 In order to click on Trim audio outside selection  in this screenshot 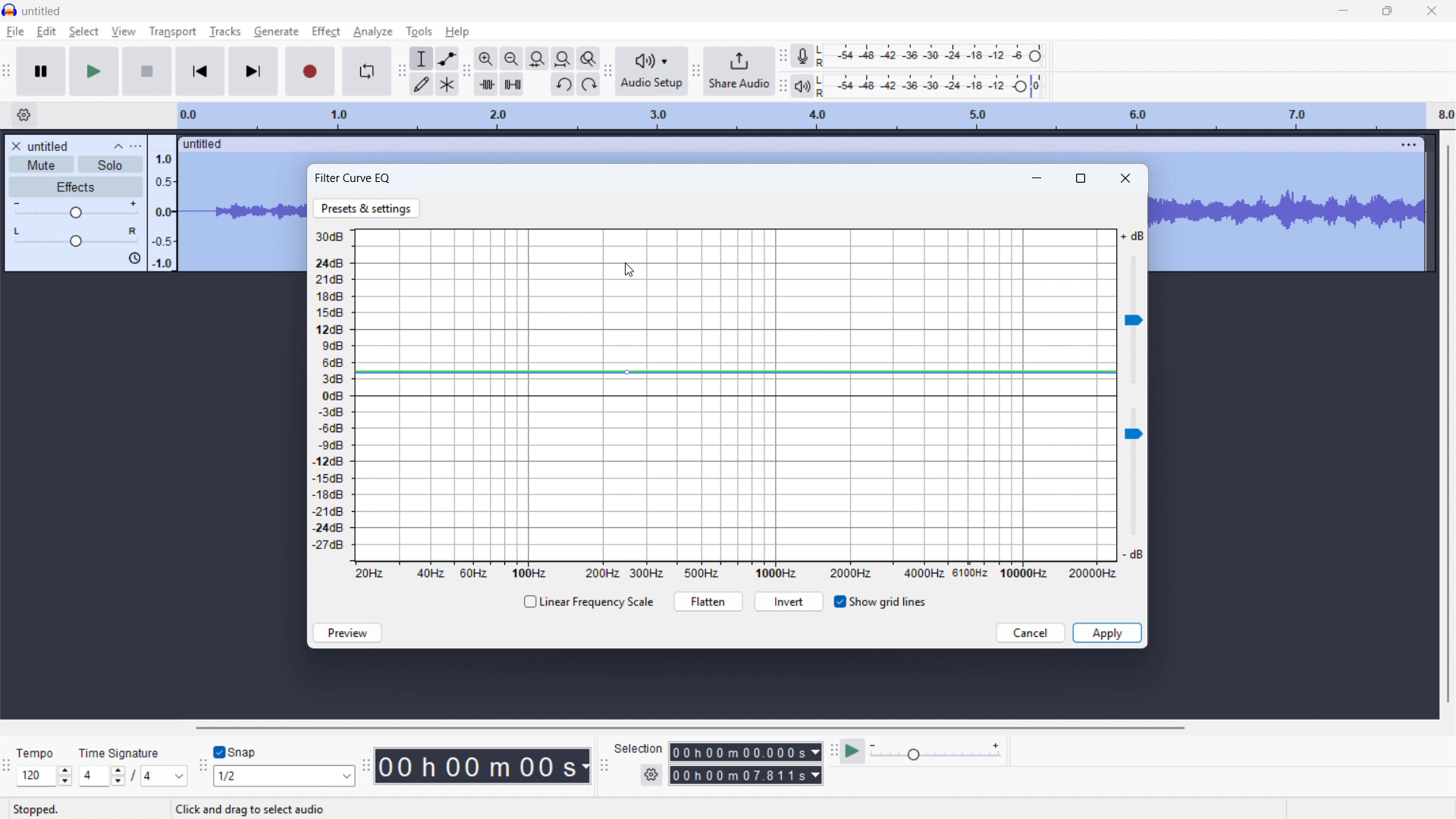, I will do `click(486, 85)`.